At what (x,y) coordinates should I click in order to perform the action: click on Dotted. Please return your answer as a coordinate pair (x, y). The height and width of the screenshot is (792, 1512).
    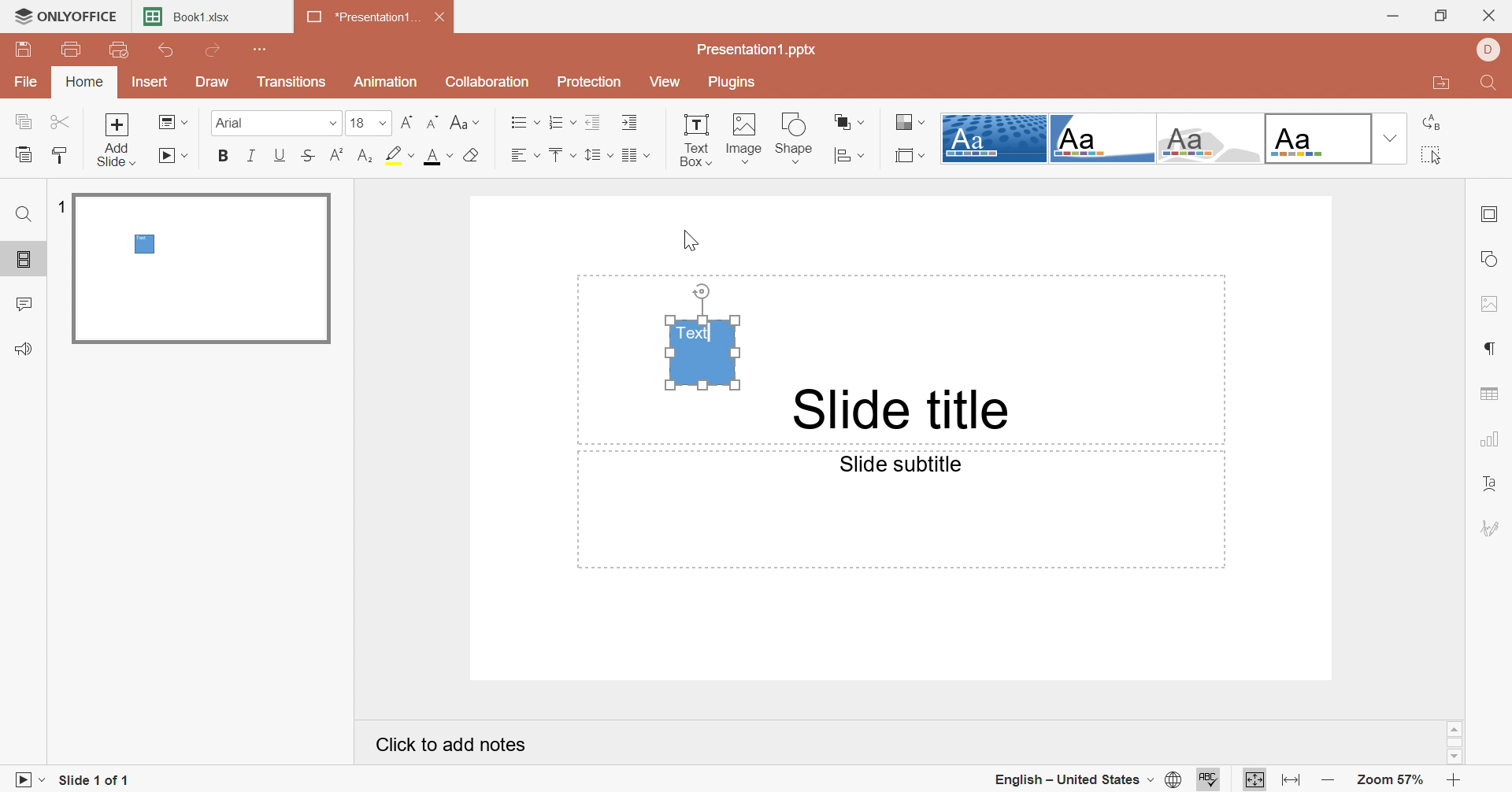
    Looking at the image, I should click on (991, 137).